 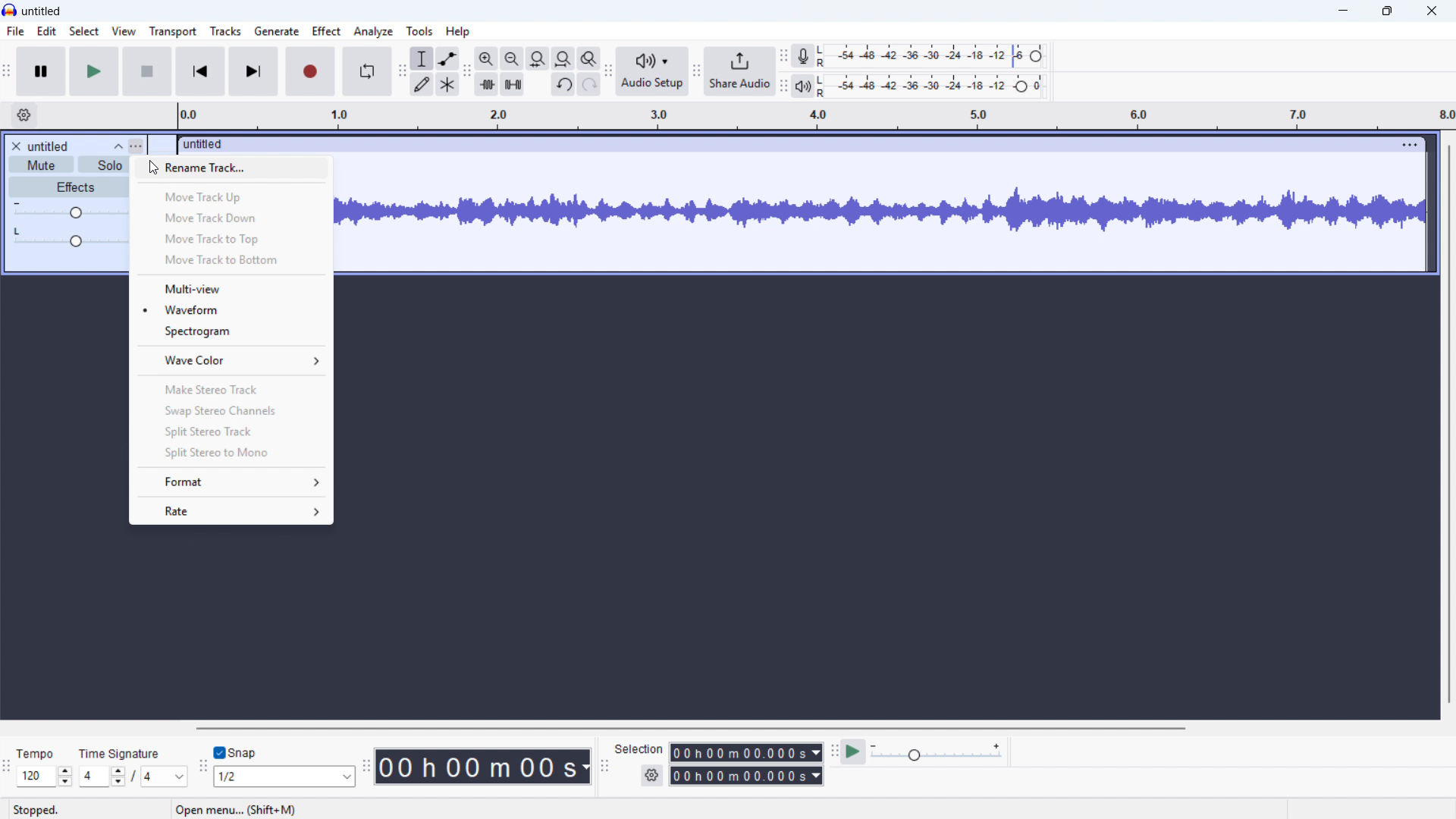 I want to click on Fit project to width , so click(x=538, y=59).